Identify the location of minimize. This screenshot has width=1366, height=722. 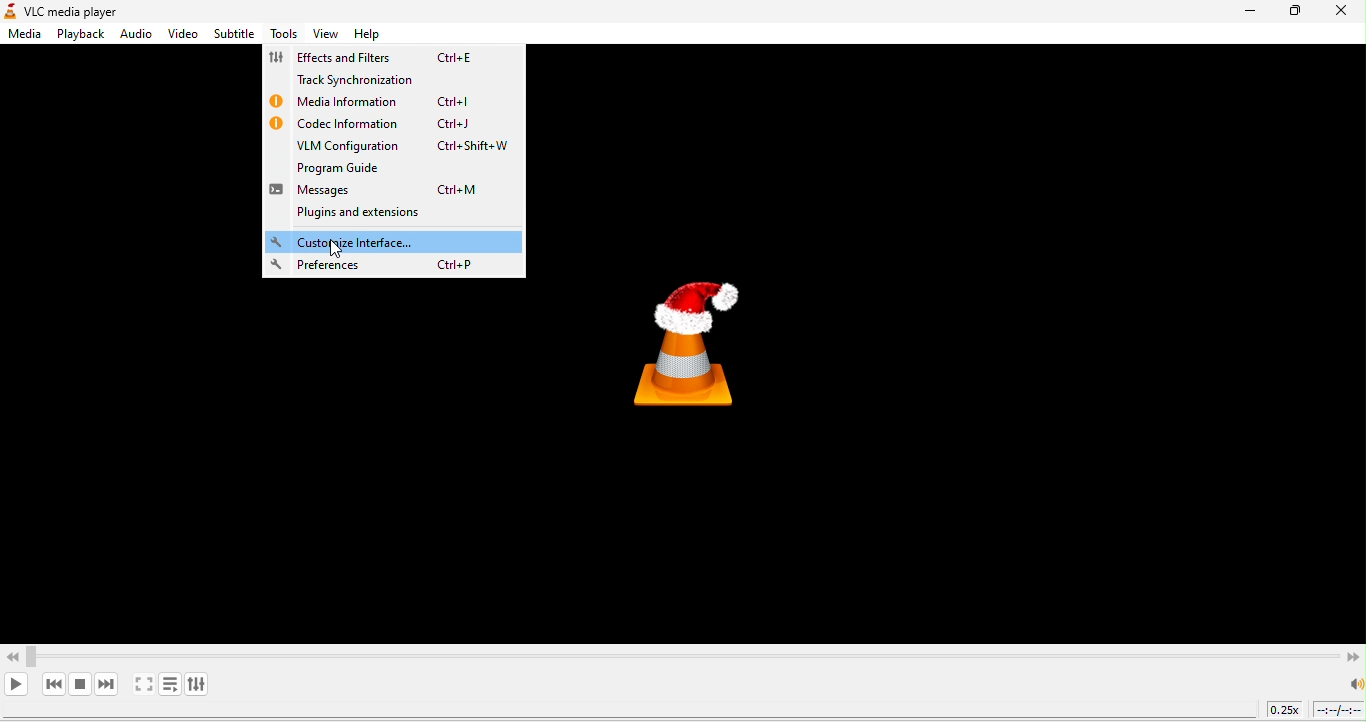
(1248, 12).